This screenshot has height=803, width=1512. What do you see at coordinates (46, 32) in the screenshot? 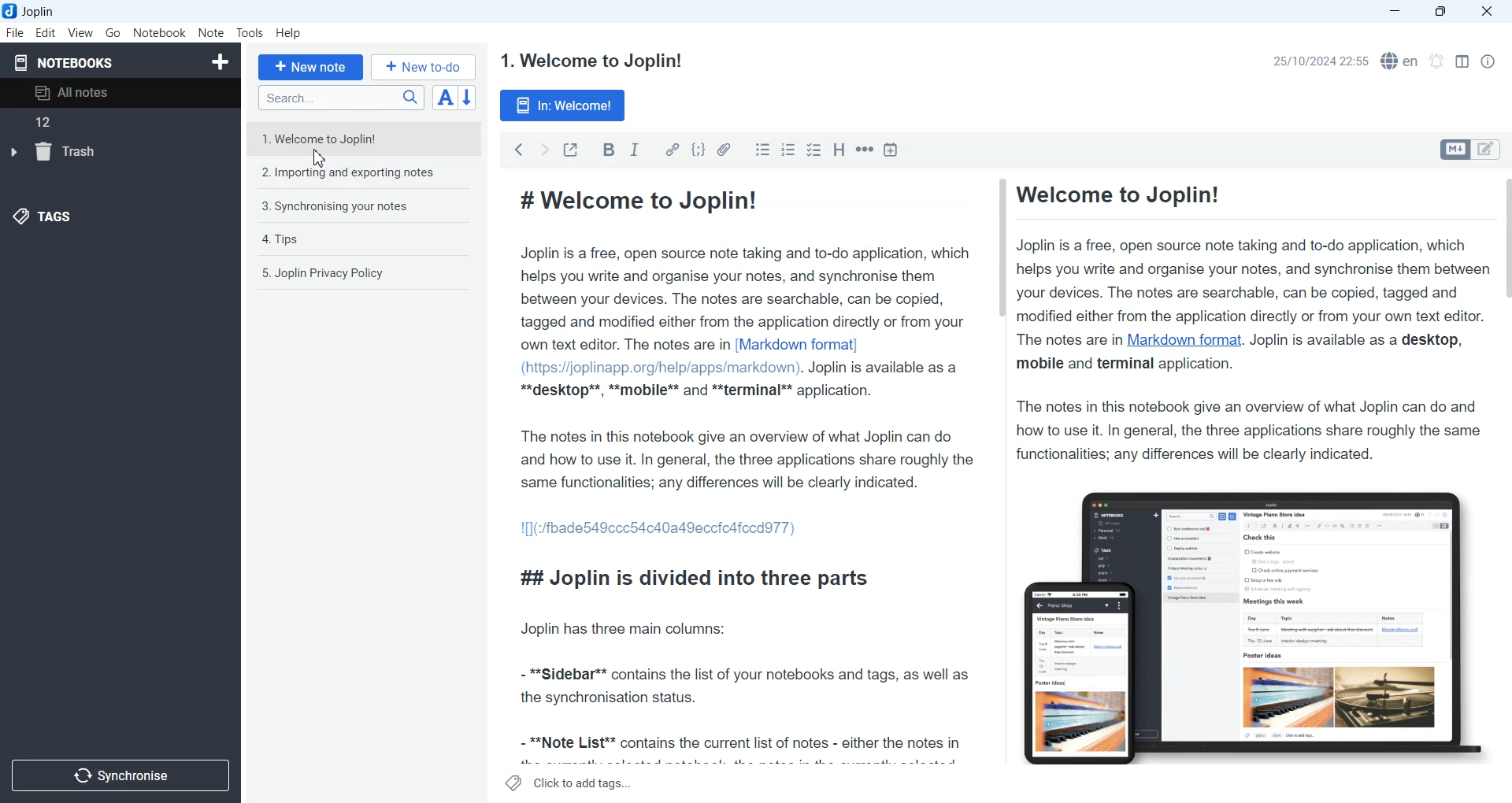
I see `Edit` at bounding box center [46, 32].